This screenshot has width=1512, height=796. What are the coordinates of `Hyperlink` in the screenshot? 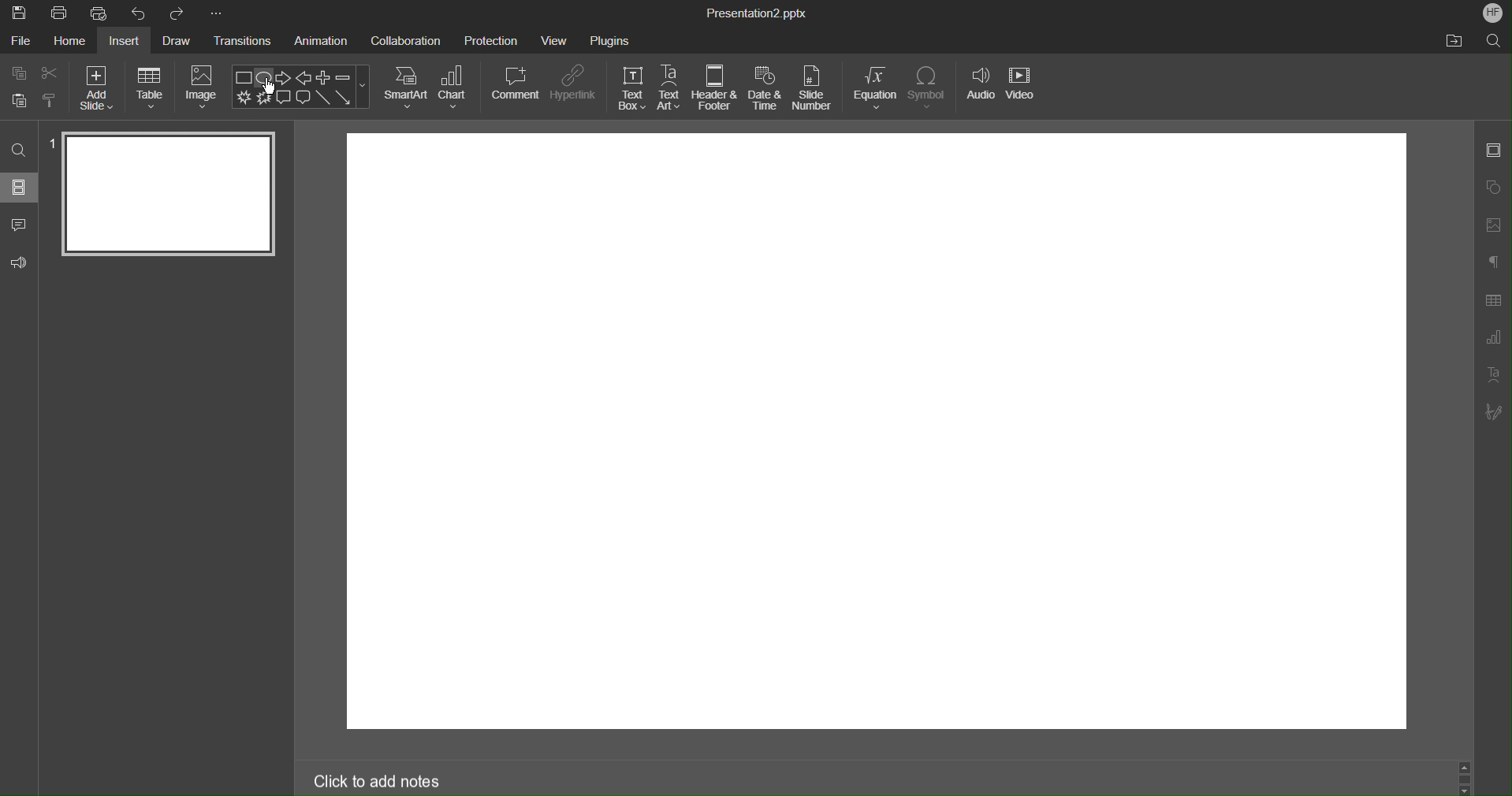 It's located at (573, 84).